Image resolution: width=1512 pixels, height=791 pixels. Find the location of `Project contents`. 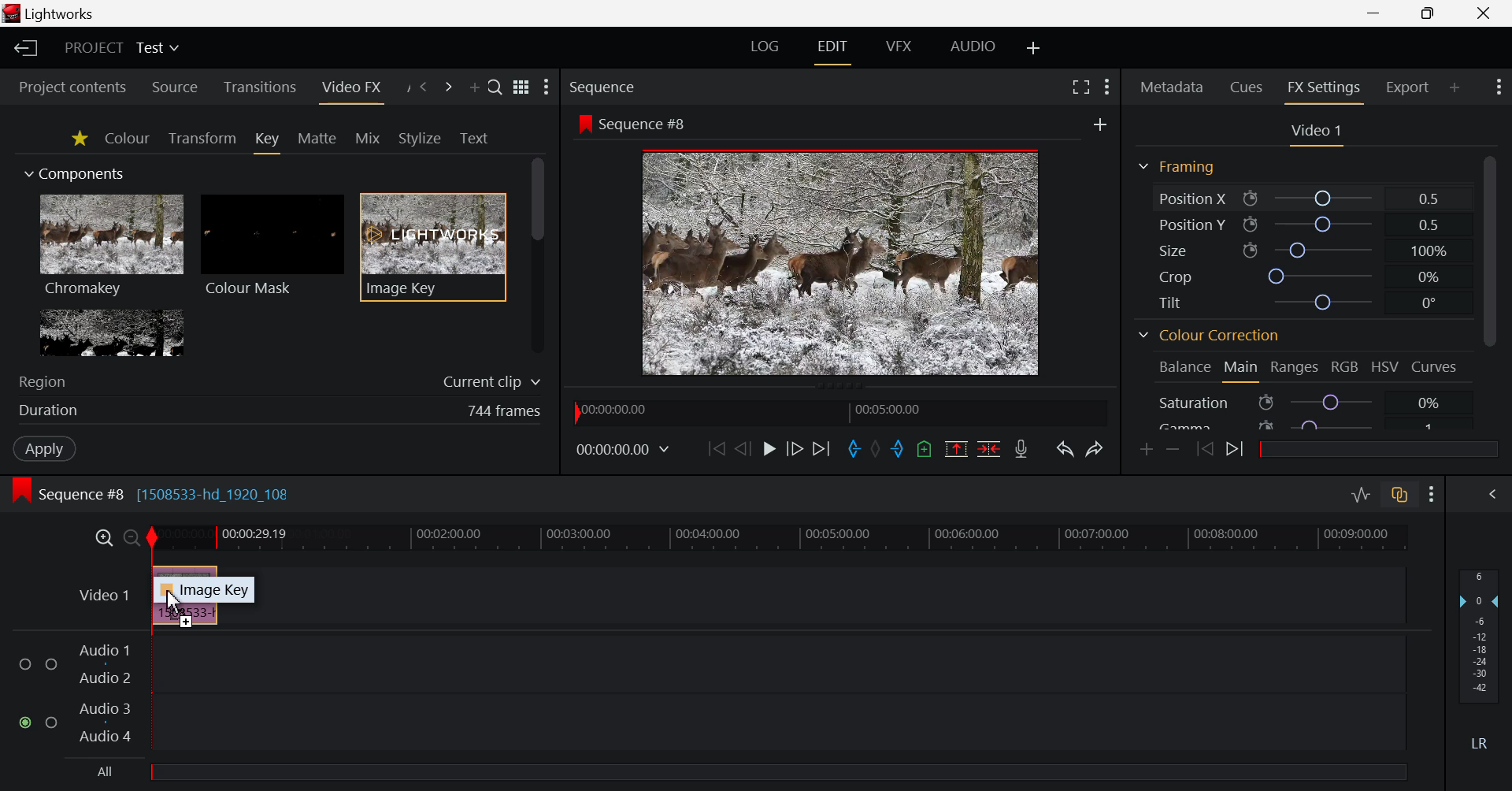

Project contents is located at coordinates (65, 85).